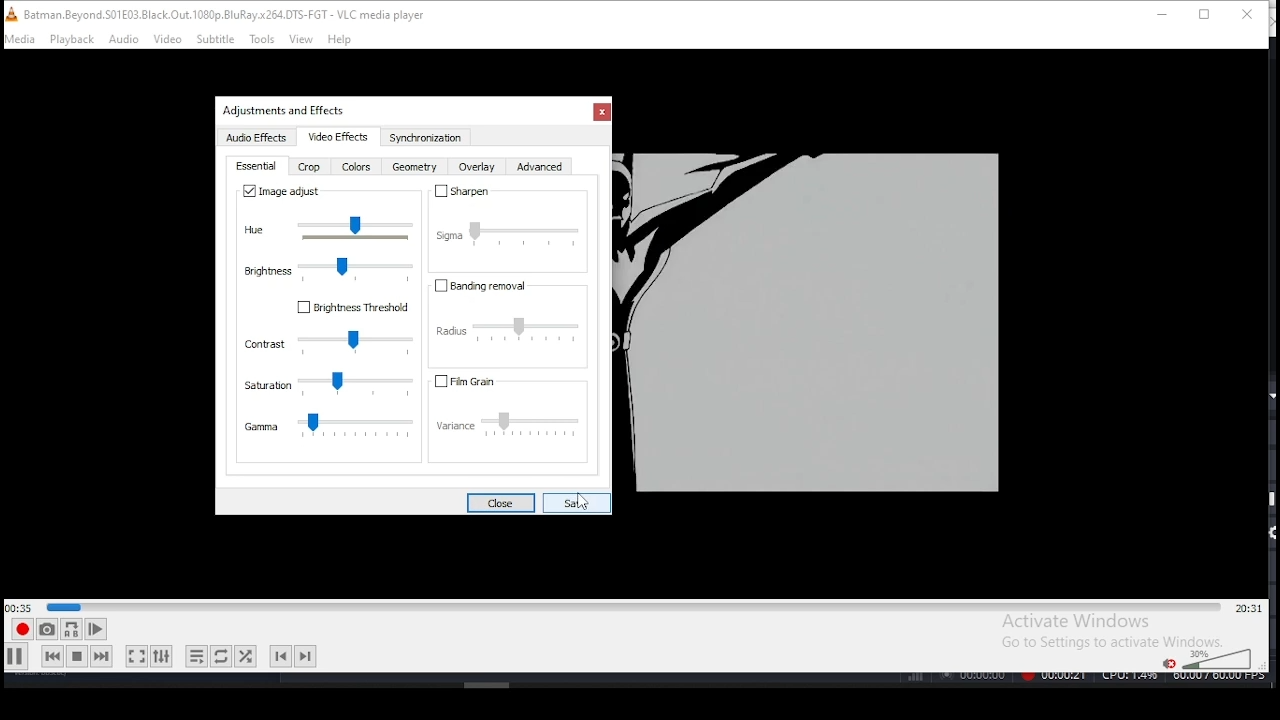 The width and height of the screenshot is (1280, 720). I want to click on elapsed time, so click(20, 607).